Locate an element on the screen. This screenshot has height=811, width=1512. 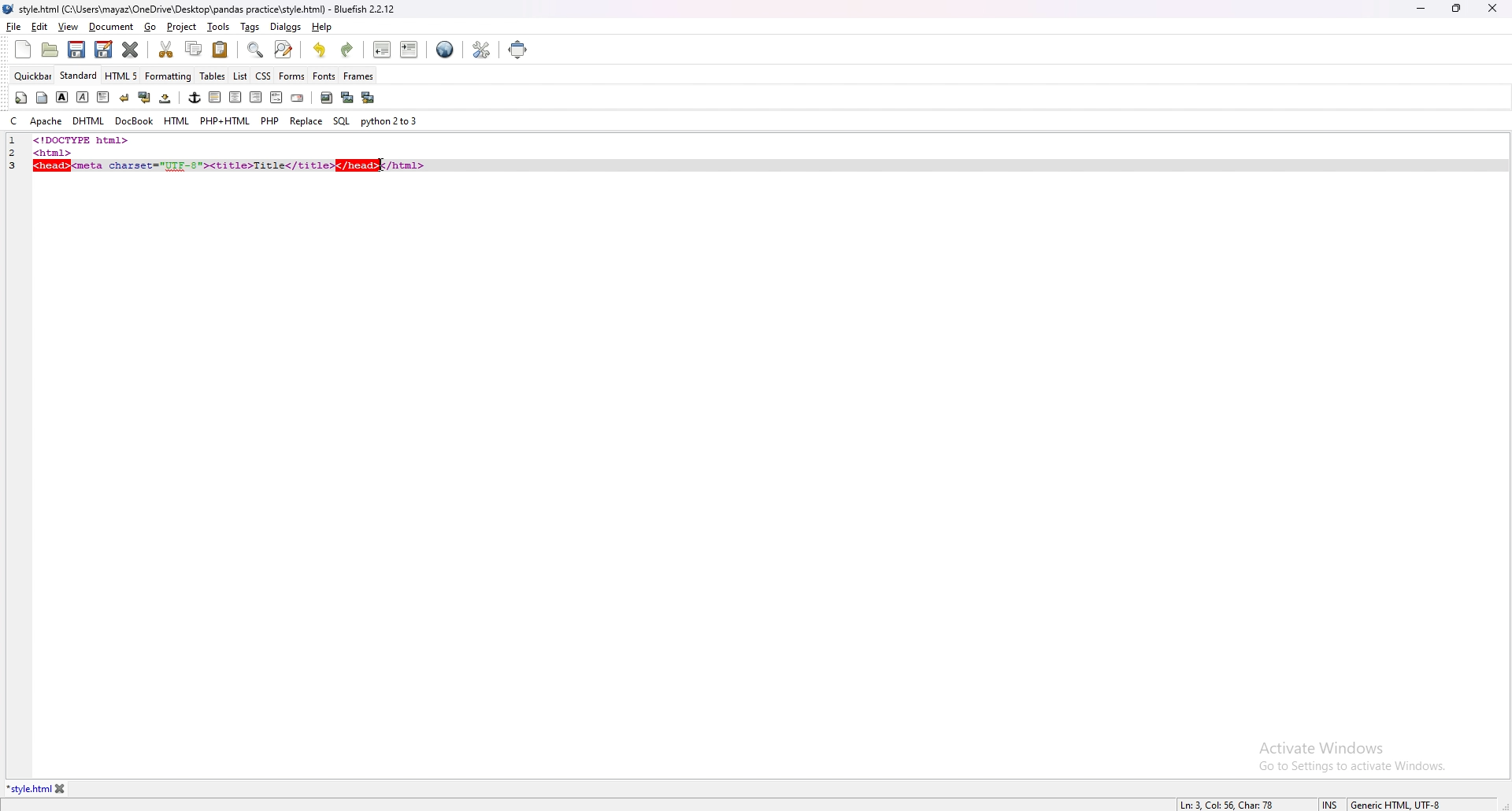
full screen is located at coordinates (520, 49).